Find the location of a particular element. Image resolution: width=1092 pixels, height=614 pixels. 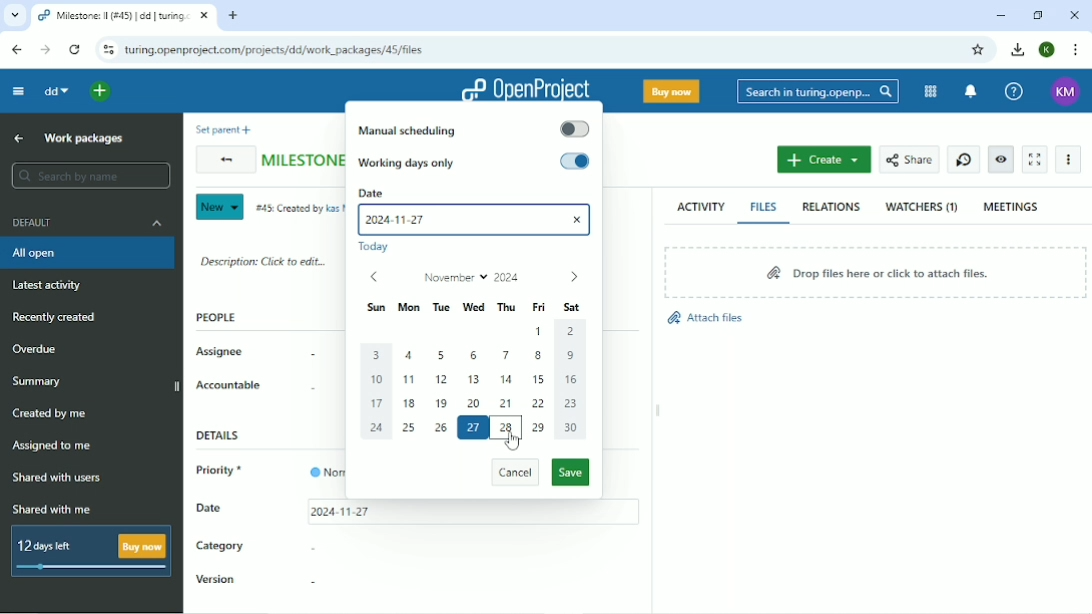

Share is located at coordinates (908, 160).